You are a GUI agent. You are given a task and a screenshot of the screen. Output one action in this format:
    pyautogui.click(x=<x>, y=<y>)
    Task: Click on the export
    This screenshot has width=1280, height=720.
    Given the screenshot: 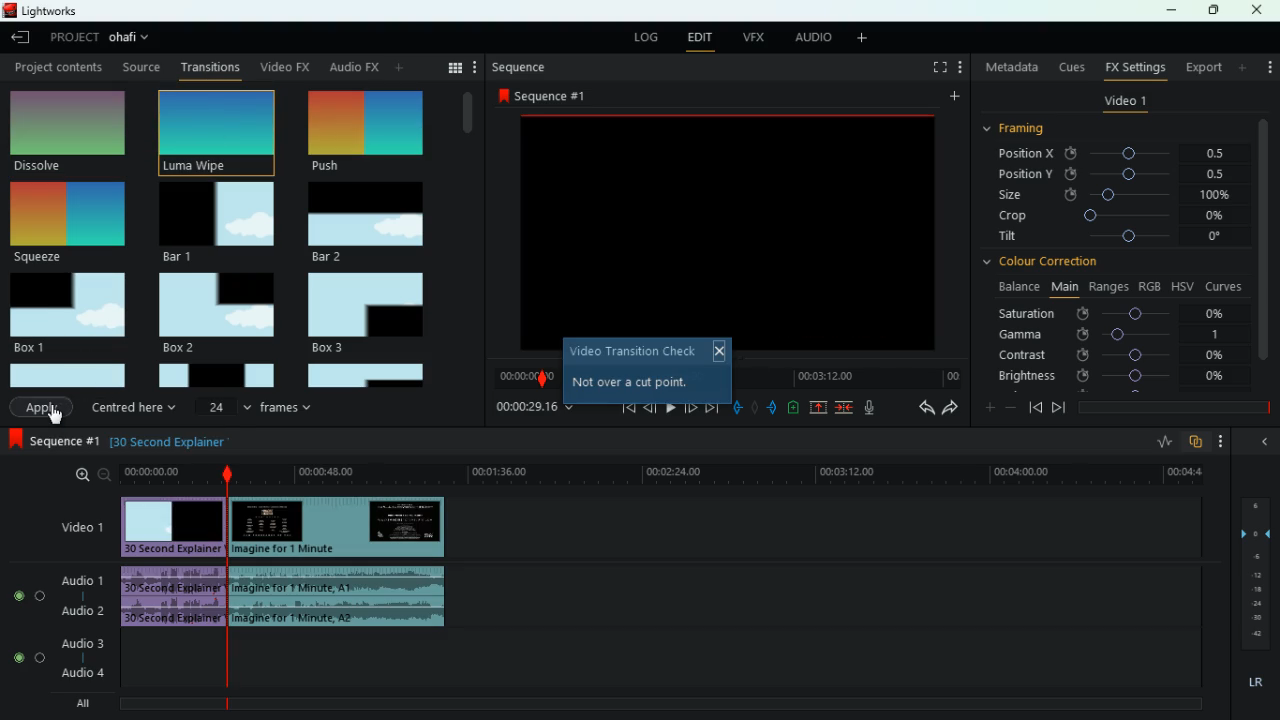 What is the action you would take?
    pyautogui.click(x=1202, y=68)
    